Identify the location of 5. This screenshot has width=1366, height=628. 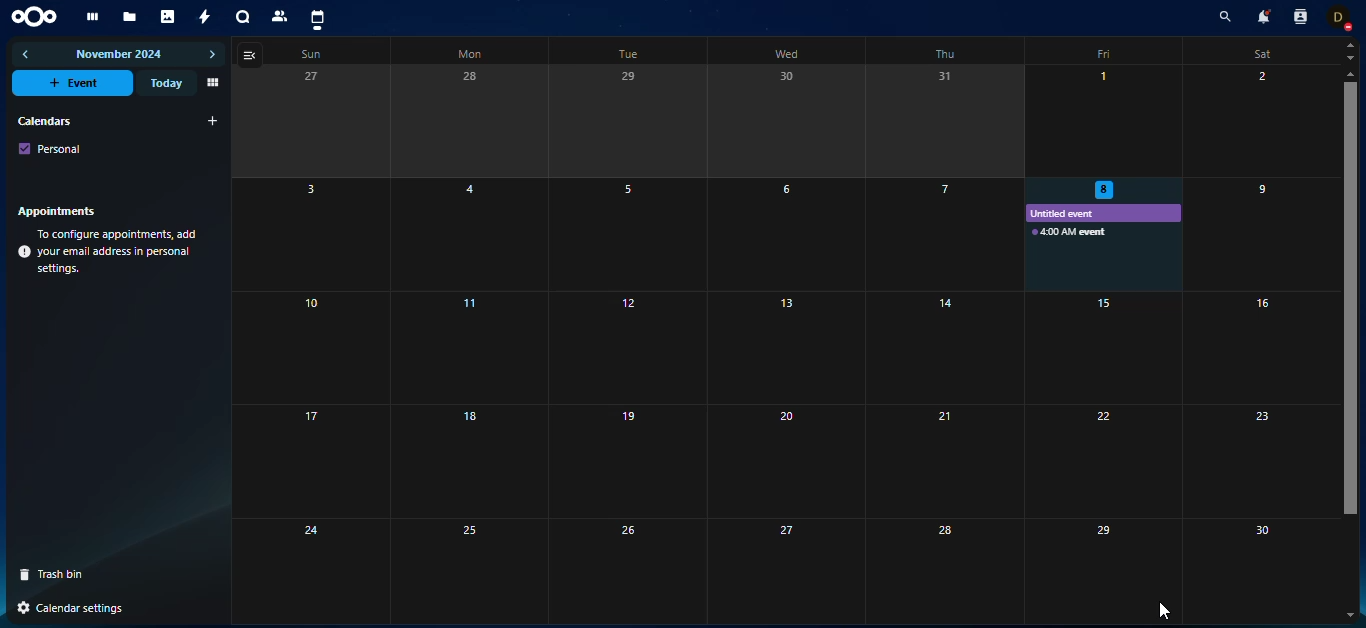
(624, 233).